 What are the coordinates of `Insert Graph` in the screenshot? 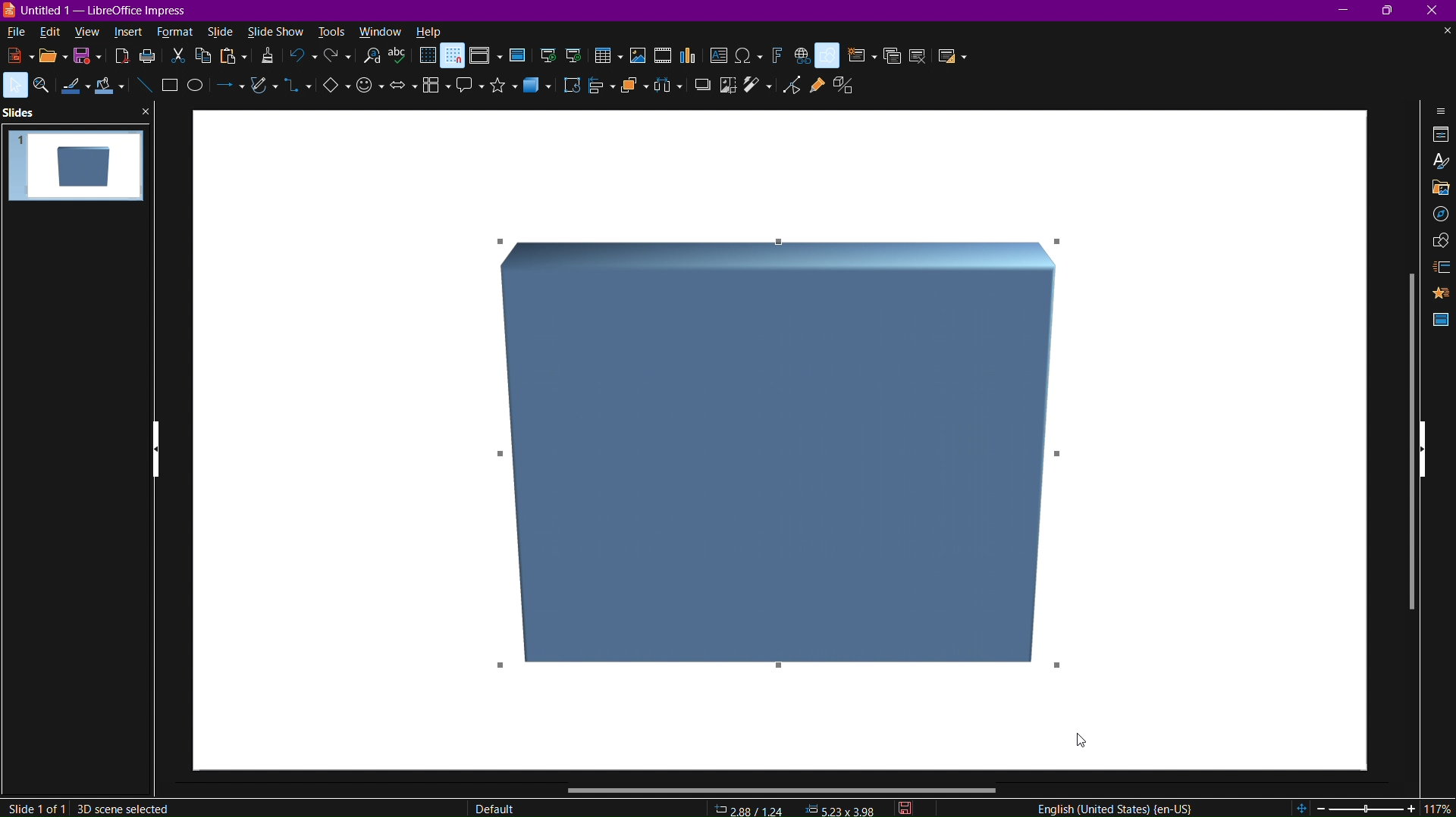 It's located at (689, 57).